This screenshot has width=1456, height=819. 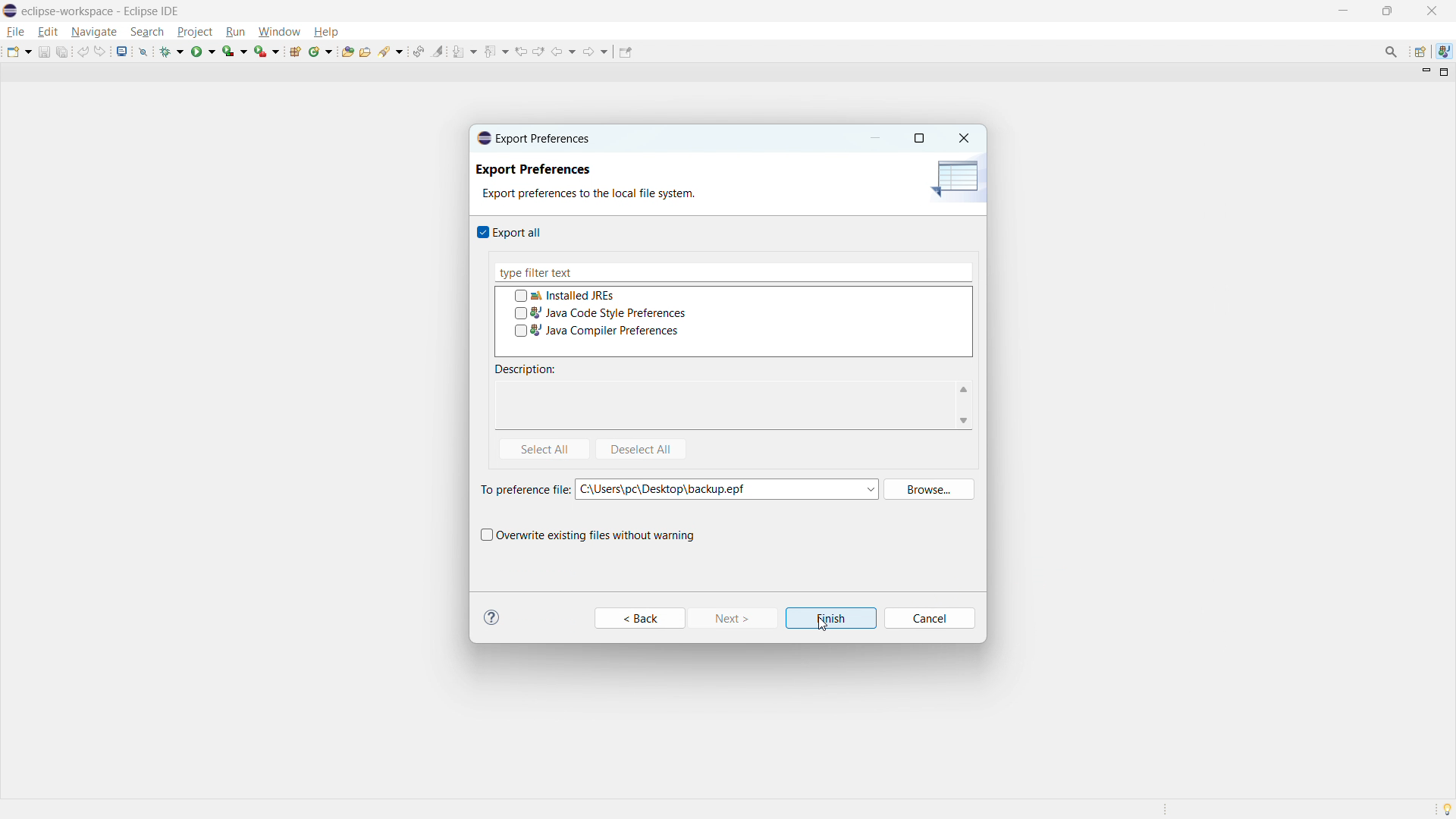 What do you see at coordinates (122, 51) in the screenshot?
I see `open console` at bounding box center [122, 51].